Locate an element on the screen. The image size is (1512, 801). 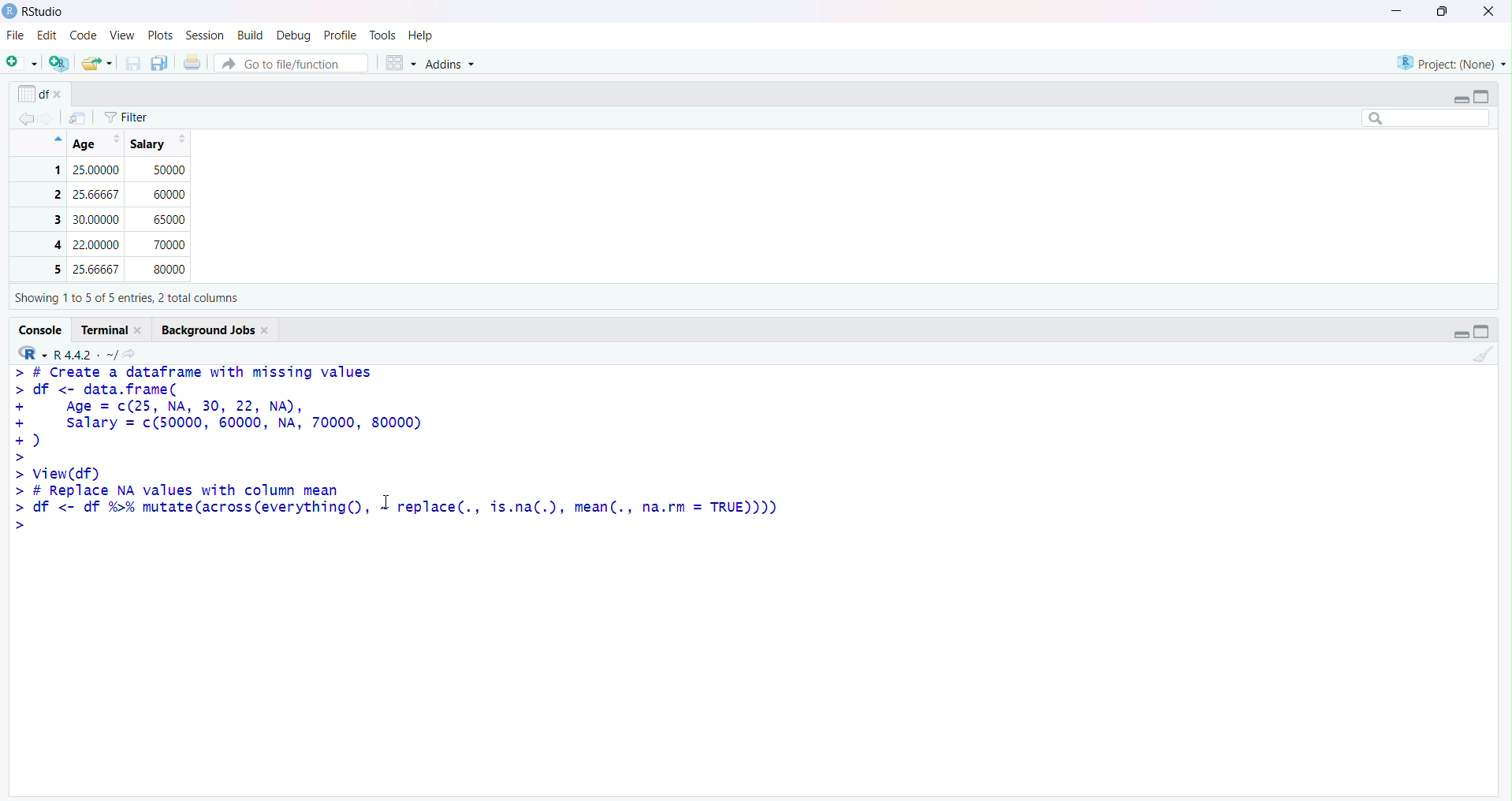
Clsoe is located at coordinates (1489, 12).